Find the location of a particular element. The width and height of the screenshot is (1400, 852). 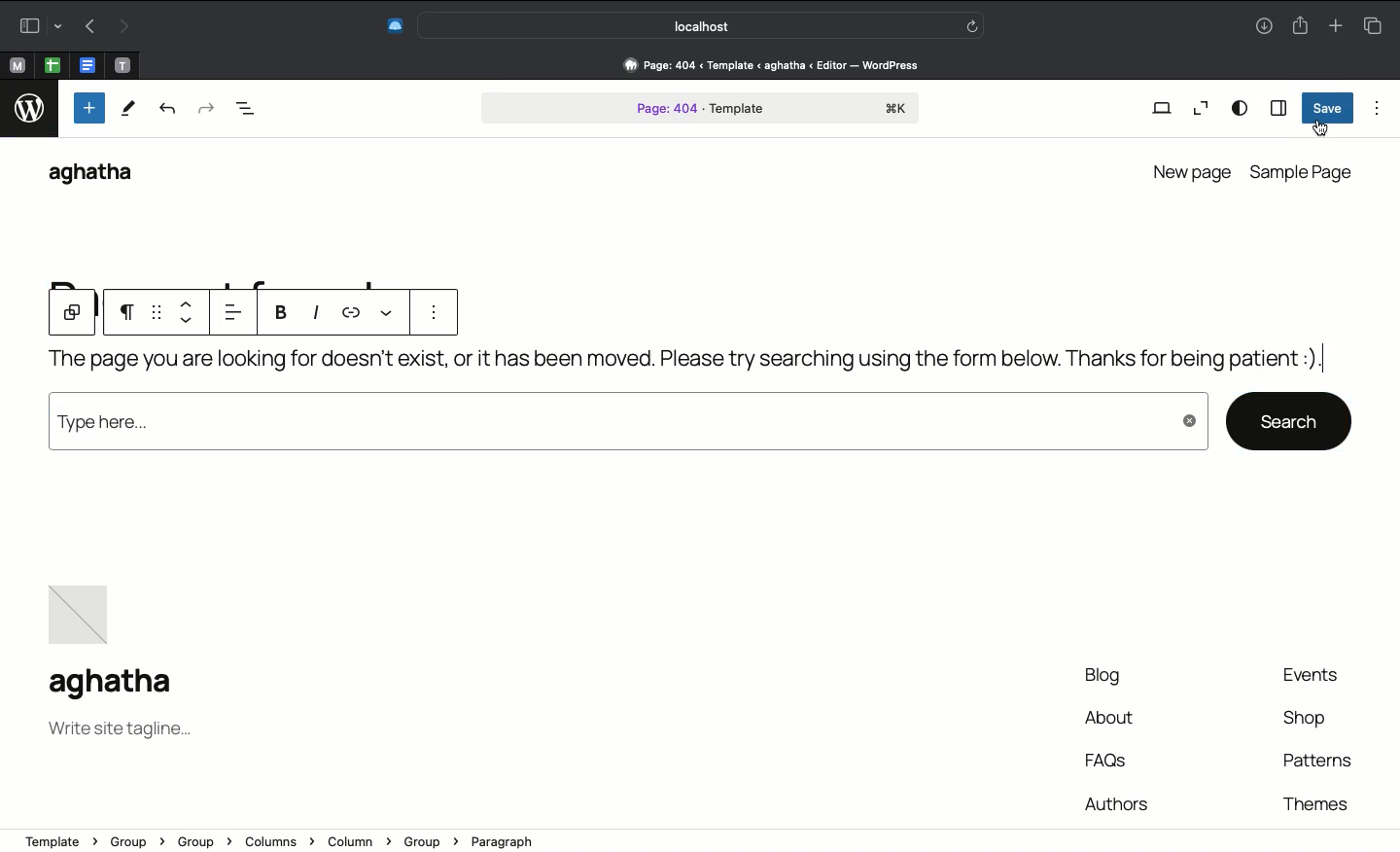

WordPress name is located at coordinates (100, 175).